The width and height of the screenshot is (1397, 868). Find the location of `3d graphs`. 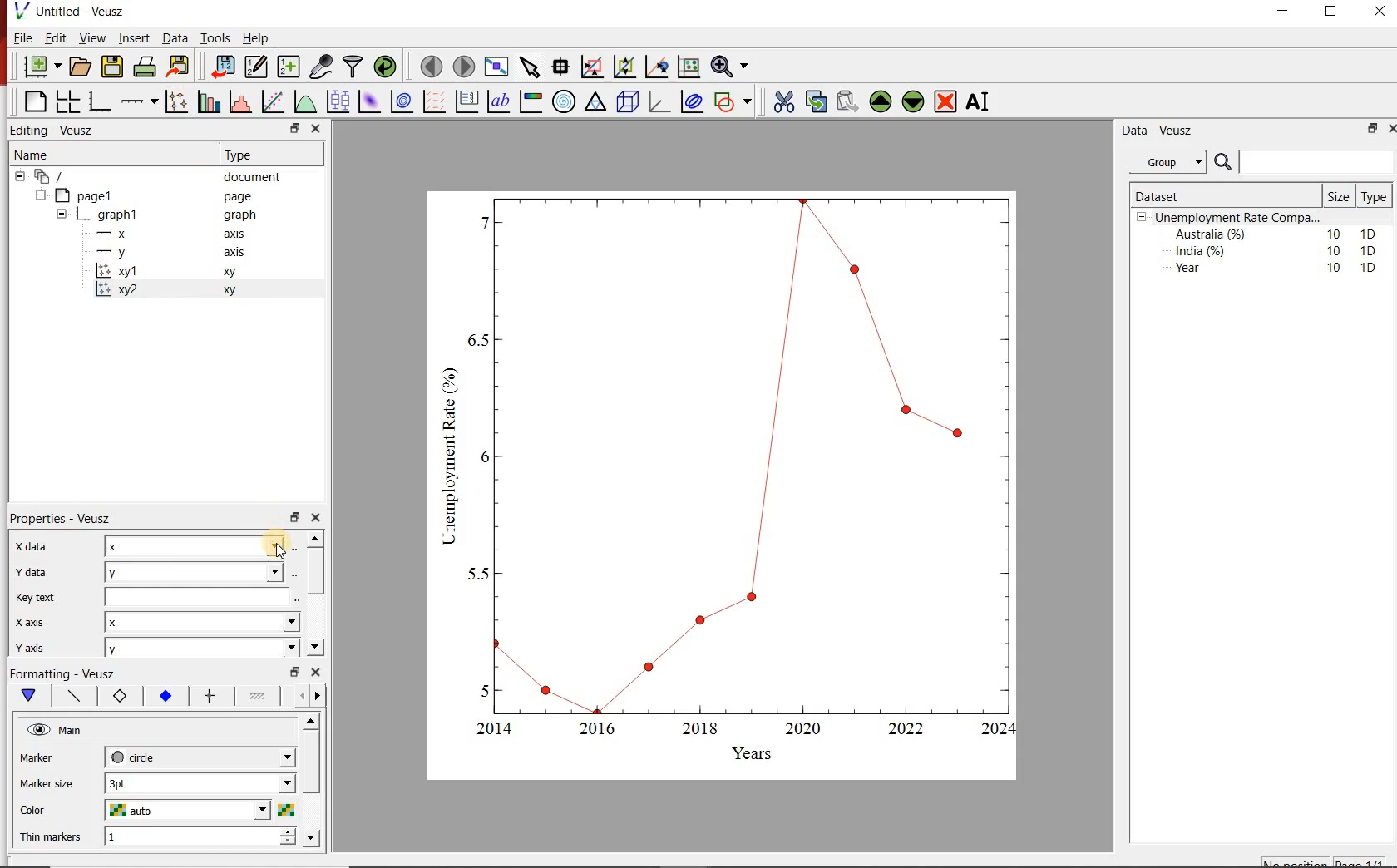

3d graphs is located at coordinates (659, 101).